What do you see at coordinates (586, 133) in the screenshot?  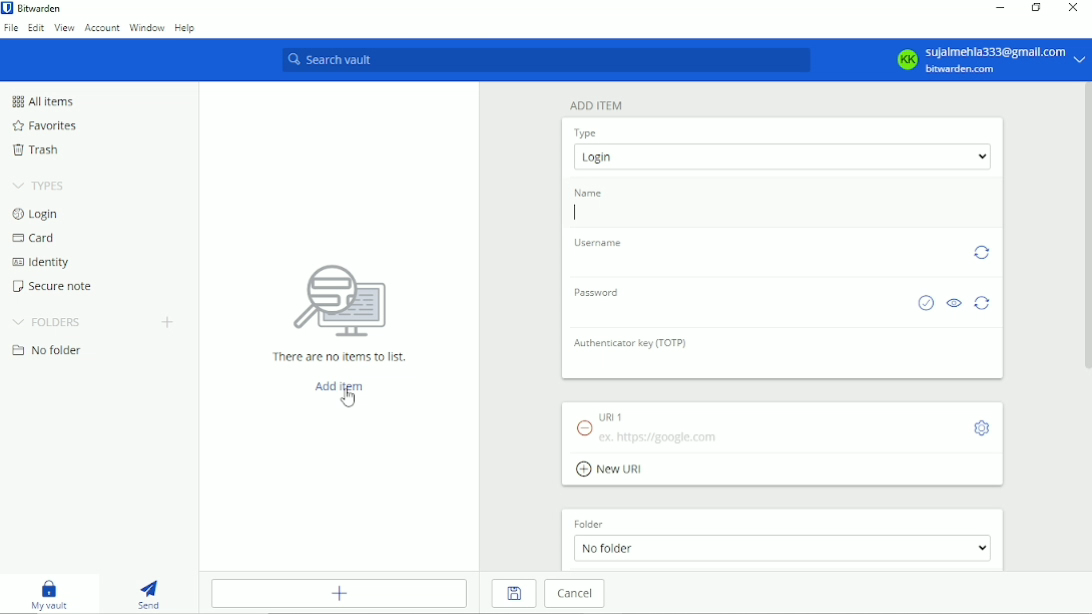 I see `Type` at bounding box center [586, 133].